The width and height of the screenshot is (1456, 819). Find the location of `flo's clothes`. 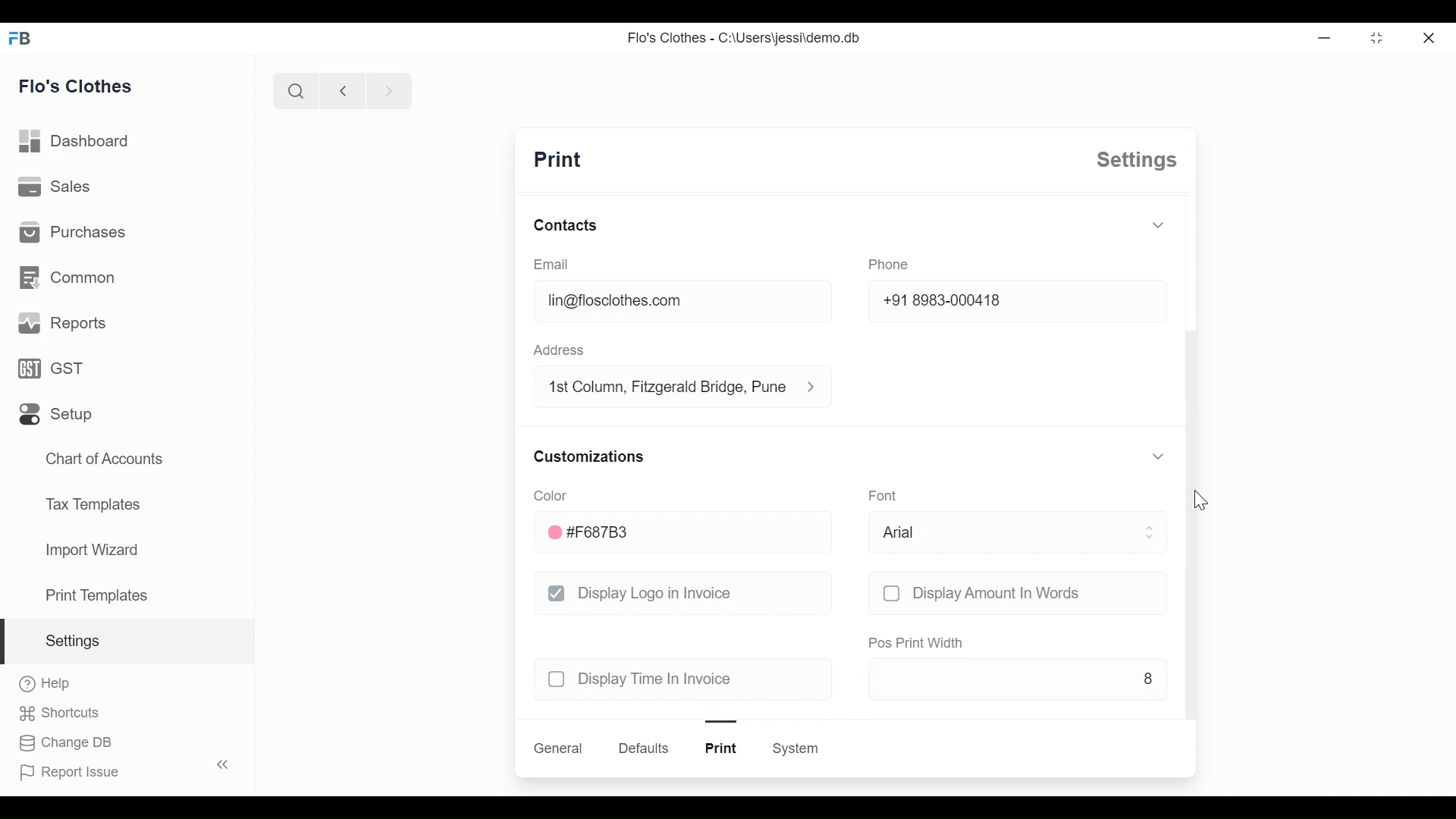

flo's clothes is located at coordinates (76, 86).